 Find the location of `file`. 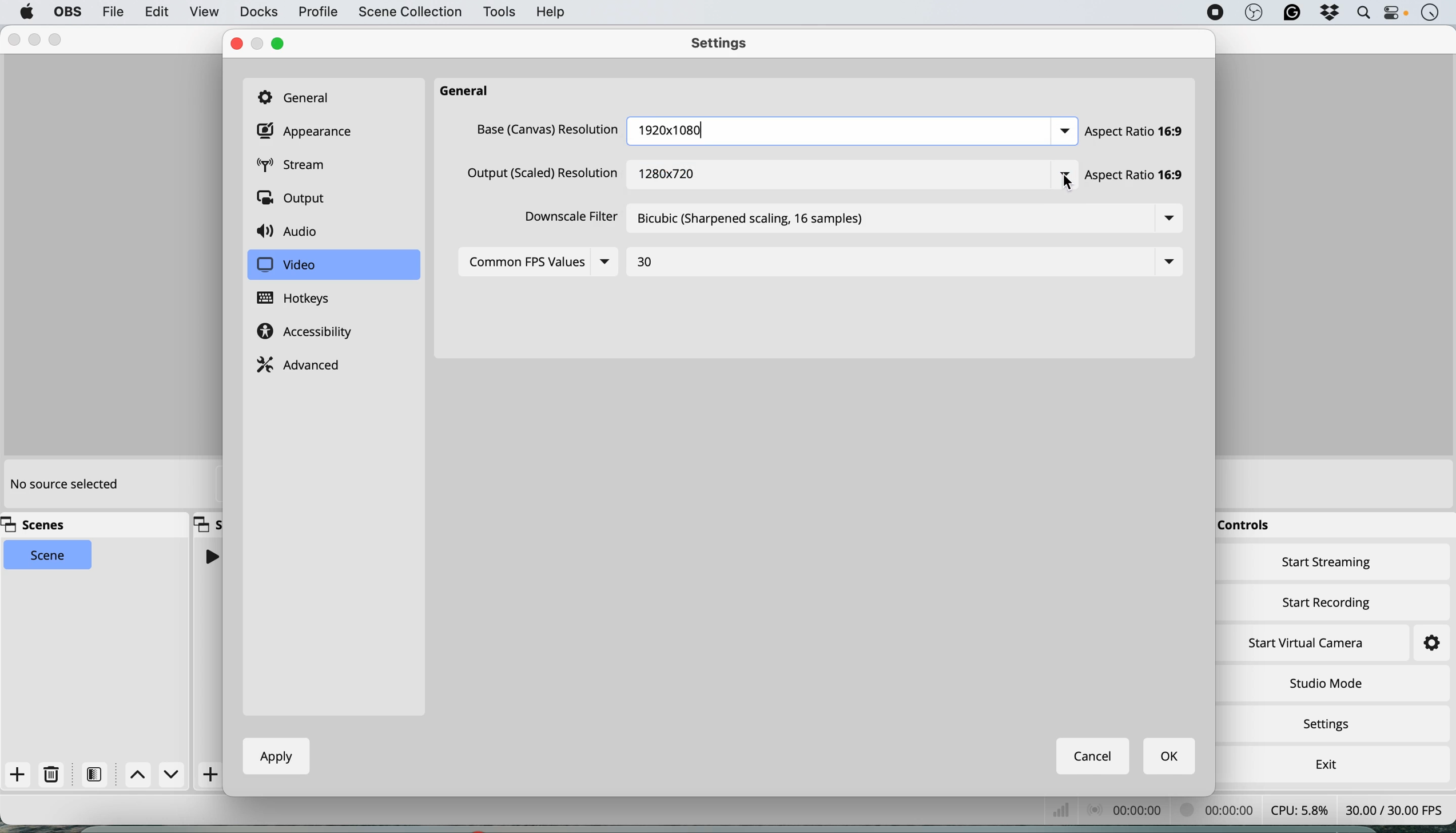

file is located at coordinates (112, 11).